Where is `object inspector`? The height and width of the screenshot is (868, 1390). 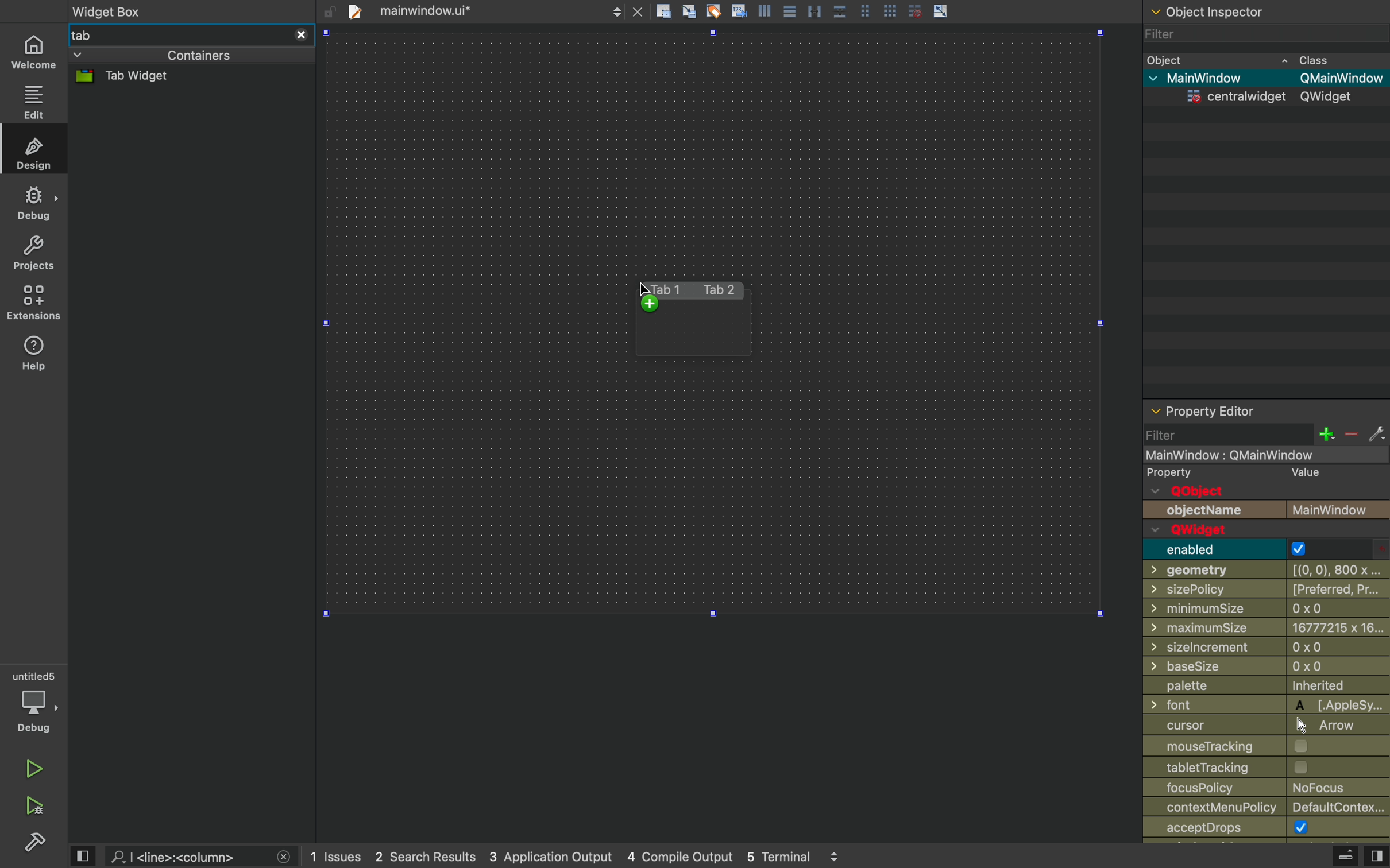 object inspector is located at coordinates (1262, 10).